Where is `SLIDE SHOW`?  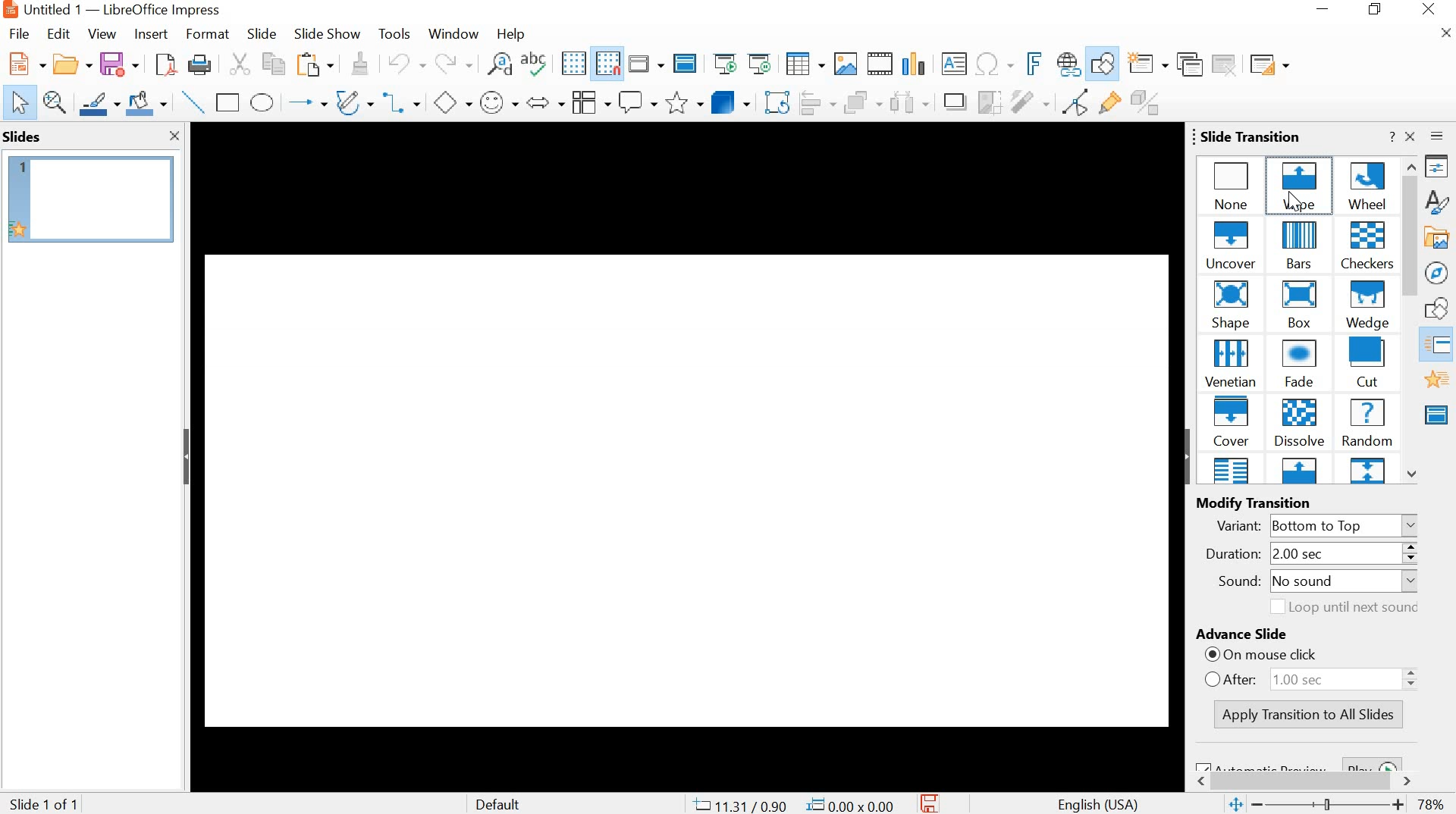
SLIDE SHOW is located at coordinates (327, 35).